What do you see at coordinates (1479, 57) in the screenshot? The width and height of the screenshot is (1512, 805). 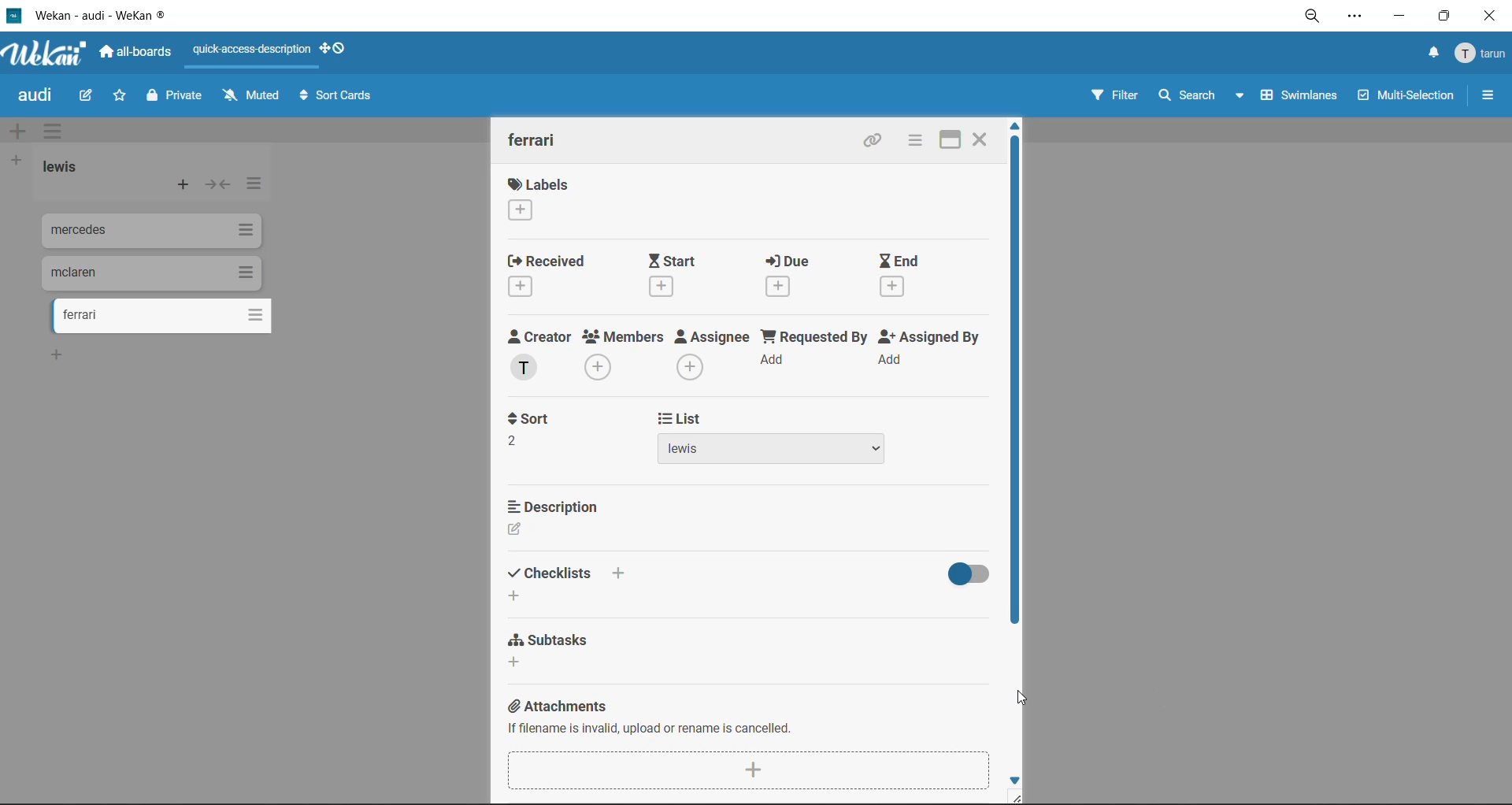 I see `menu` at bounding box center [1479, 57].